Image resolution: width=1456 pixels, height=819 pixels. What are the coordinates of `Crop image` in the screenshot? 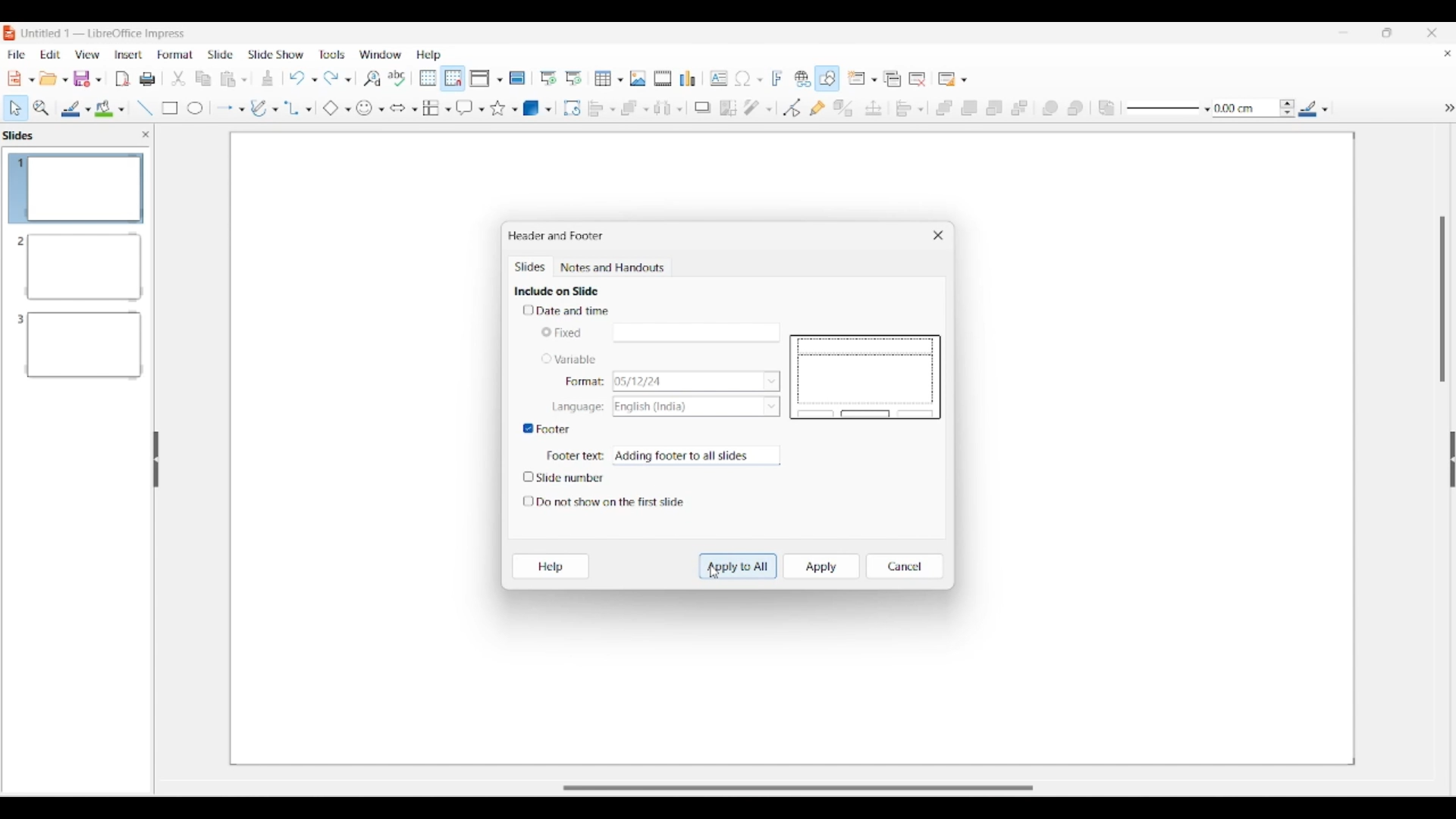 It's located at (729, 108).